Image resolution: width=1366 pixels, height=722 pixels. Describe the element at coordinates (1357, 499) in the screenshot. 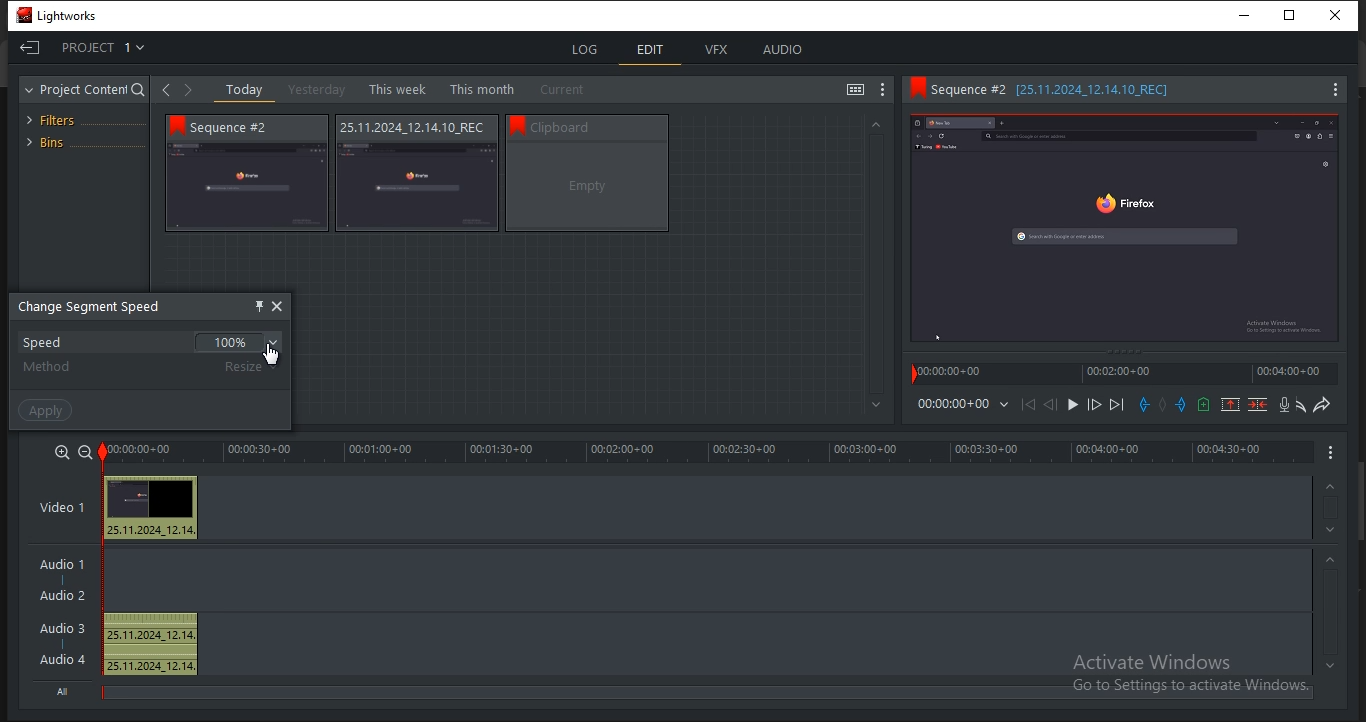

I see `Scroll bar` at that location.